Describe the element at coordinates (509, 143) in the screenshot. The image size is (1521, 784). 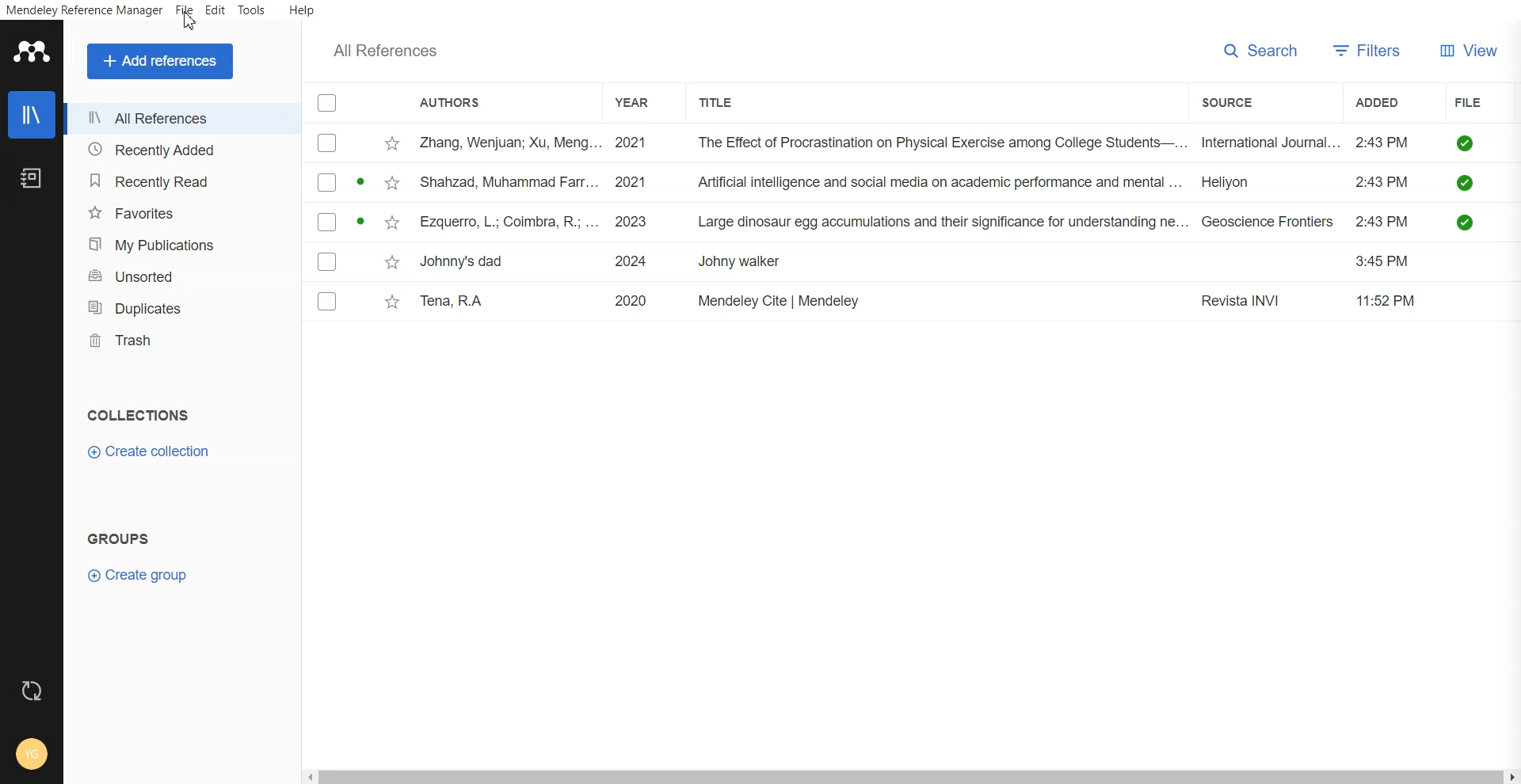
I see `Zhang, Wenjuan; Xu, Meng...` at that location.